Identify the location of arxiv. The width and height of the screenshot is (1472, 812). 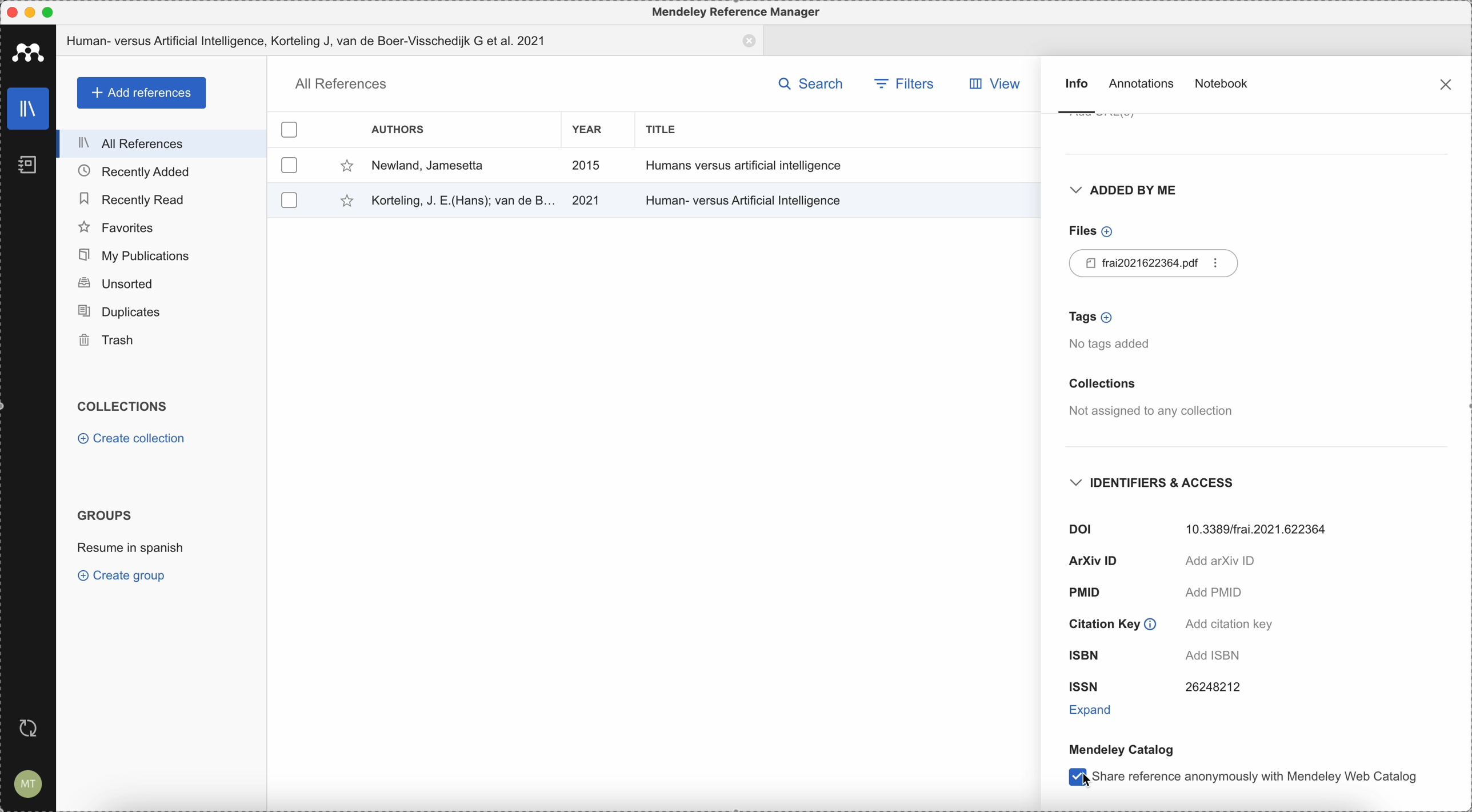
(1163, 562).